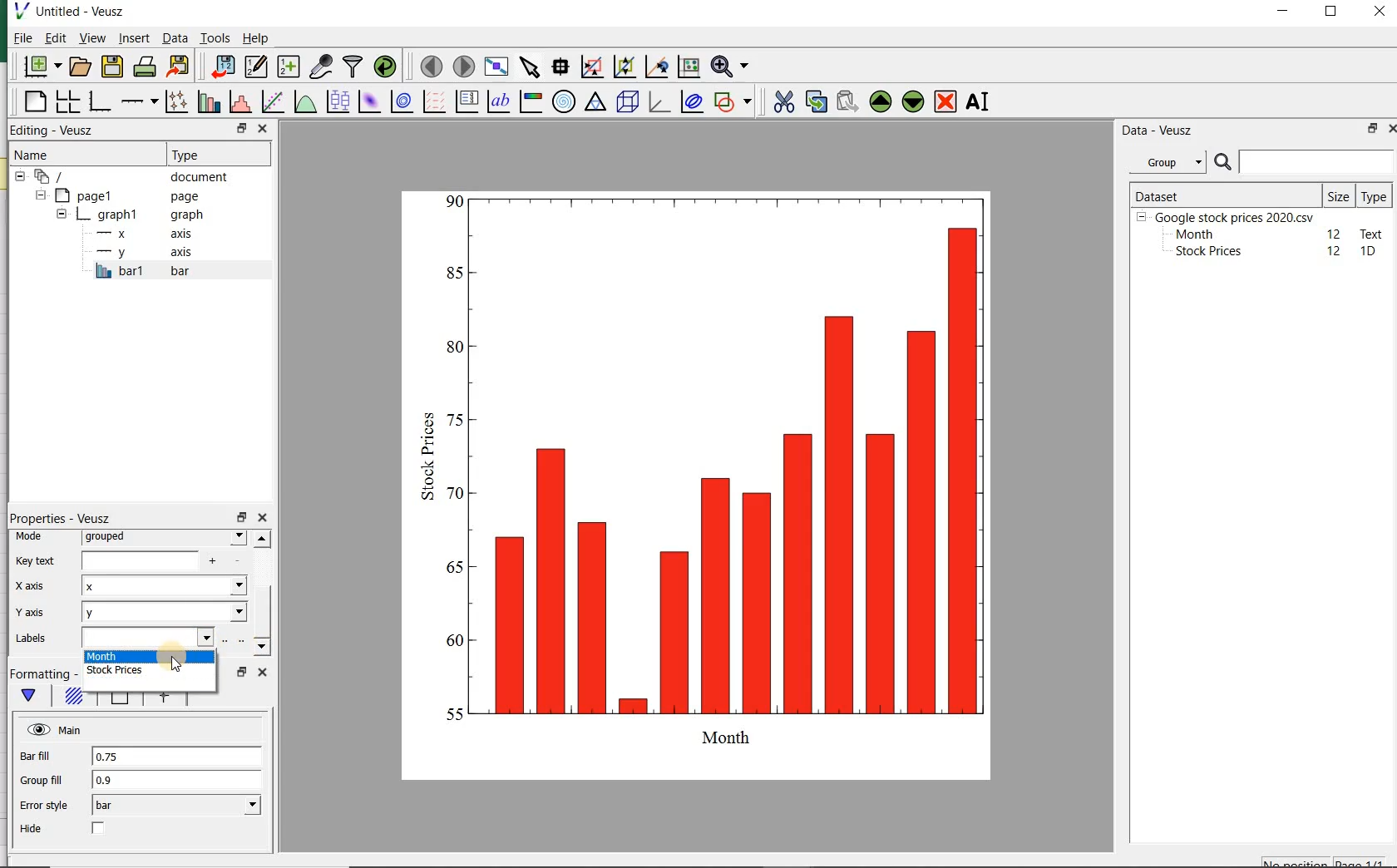  Describe the element at coordinates (134, 39) in the screenshot. I see `insert` at that location.